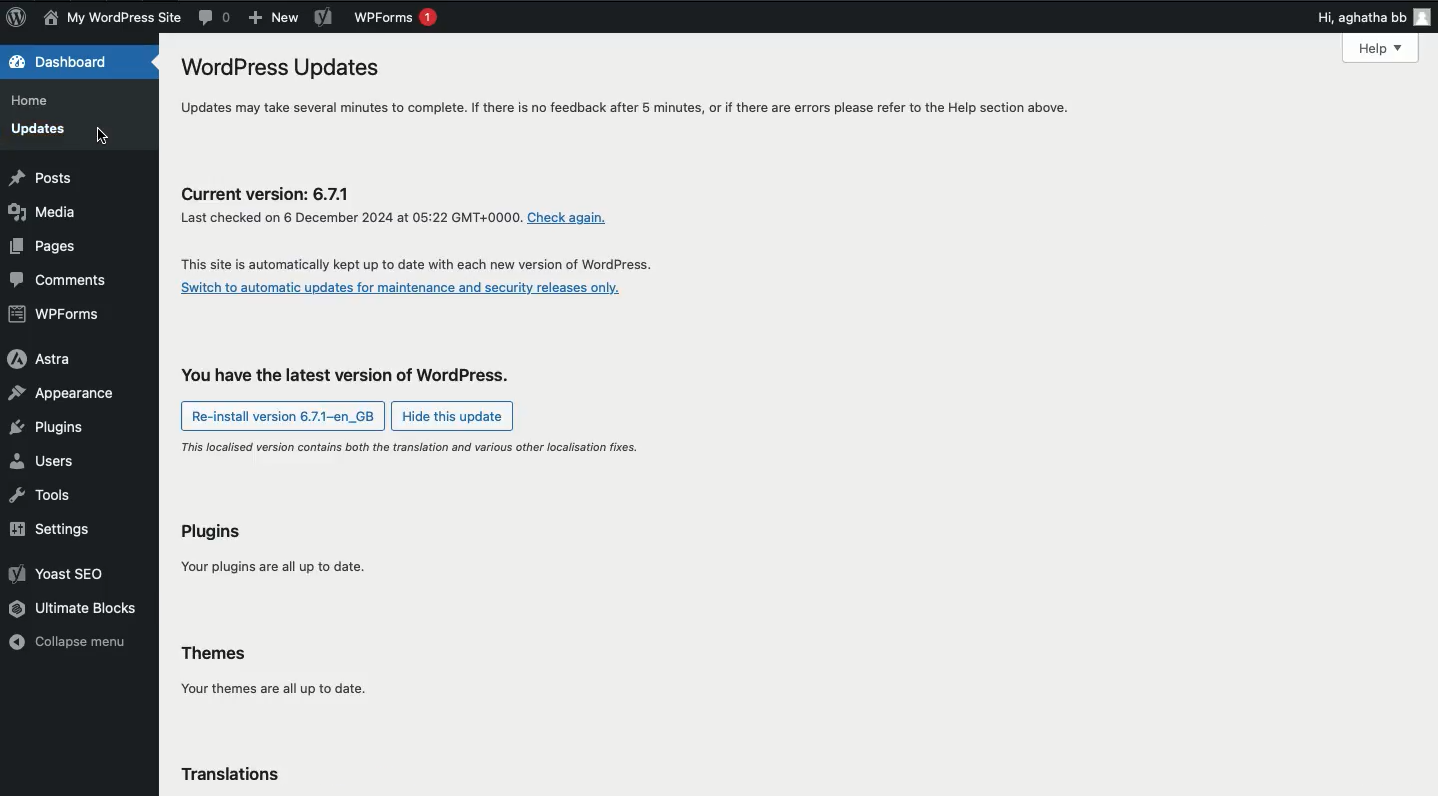 The width and height of the screenshot is (1438, 796). I want to click on Current version 6.7.1, so click(430, 266).